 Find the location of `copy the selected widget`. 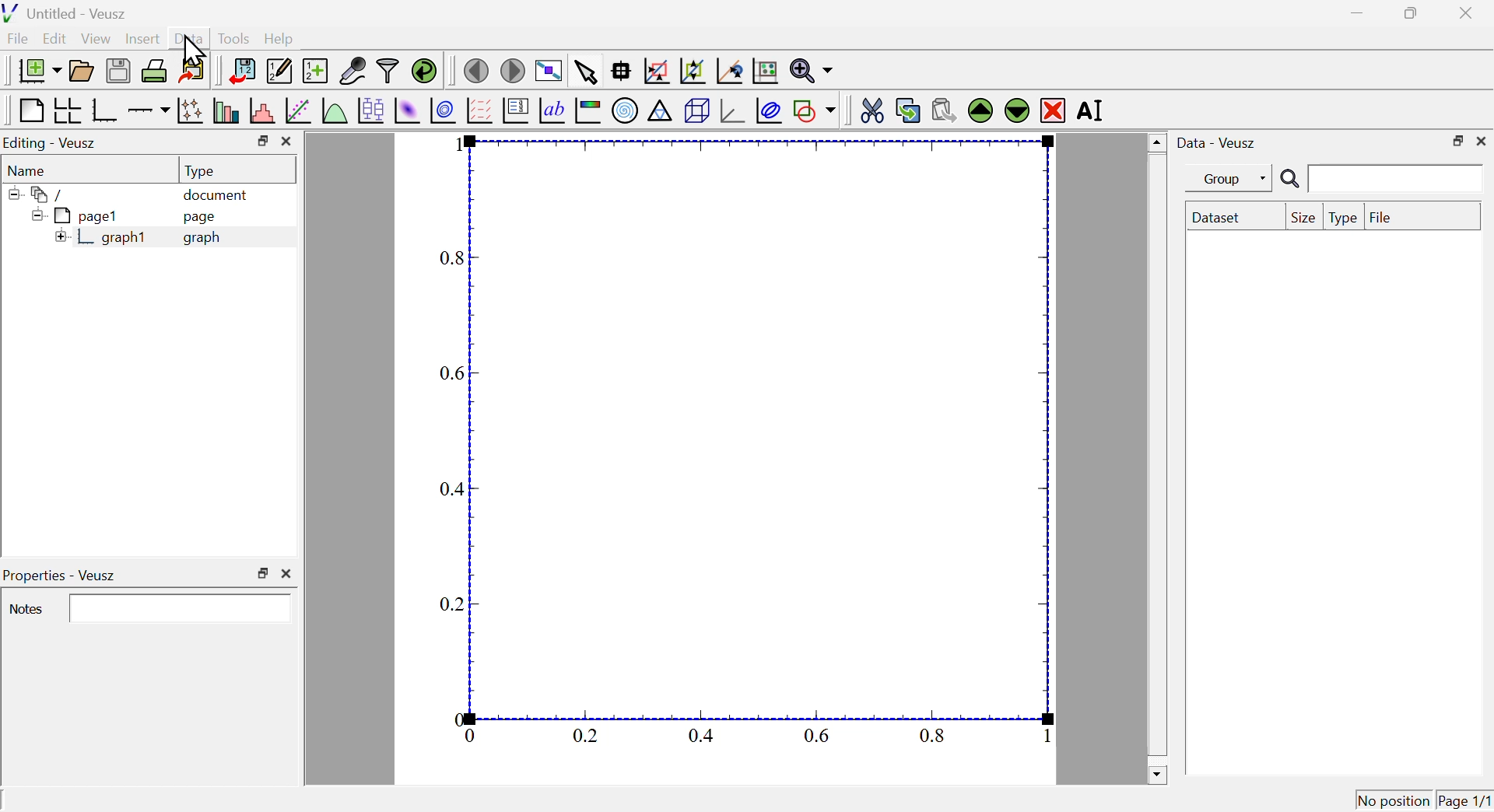

copy the selected widget is located at coordinates (908, 109).